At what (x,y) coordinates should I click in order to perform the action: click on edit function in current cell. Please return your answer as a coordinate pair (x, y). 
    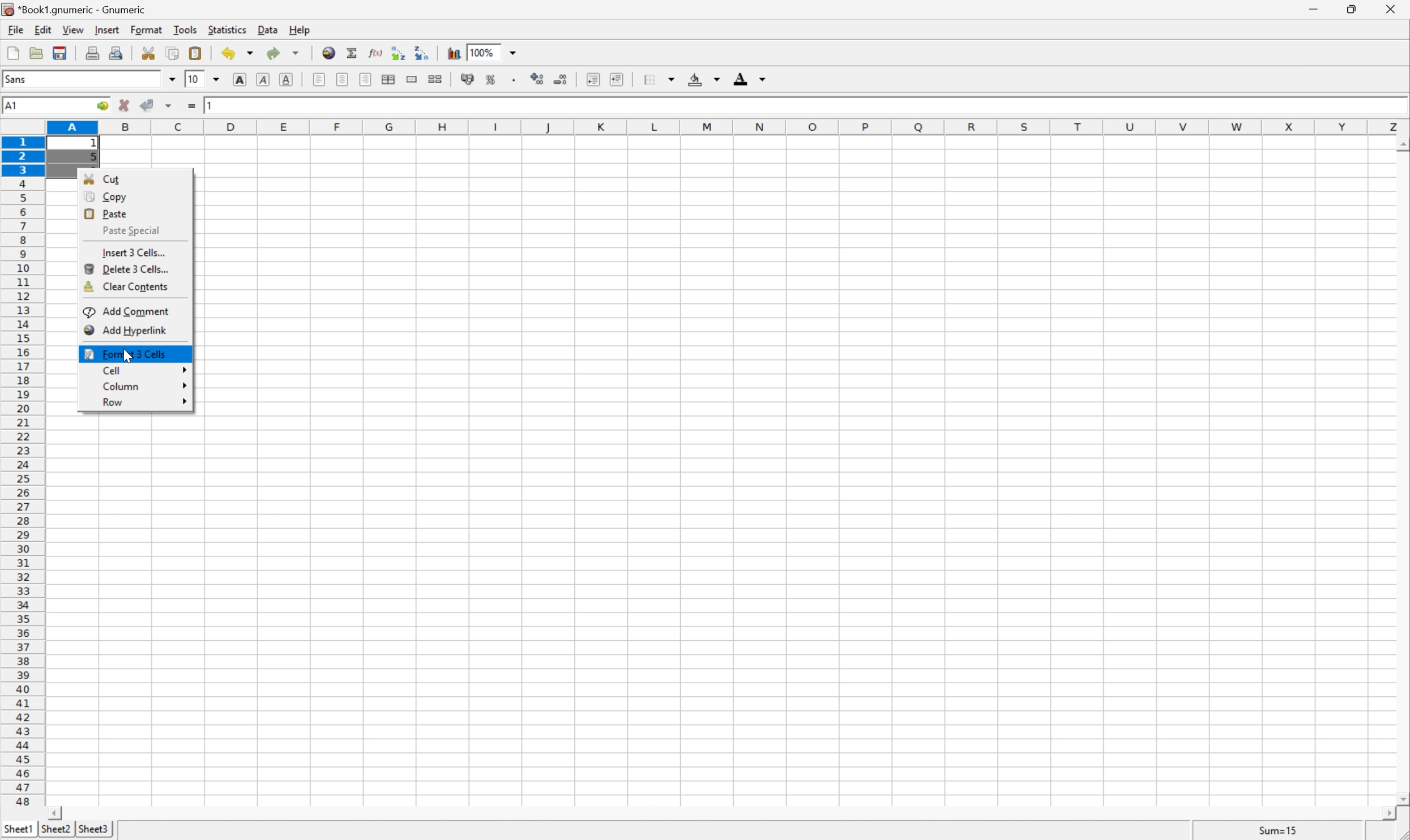
    Looking at the image, I should click on (377, 52).